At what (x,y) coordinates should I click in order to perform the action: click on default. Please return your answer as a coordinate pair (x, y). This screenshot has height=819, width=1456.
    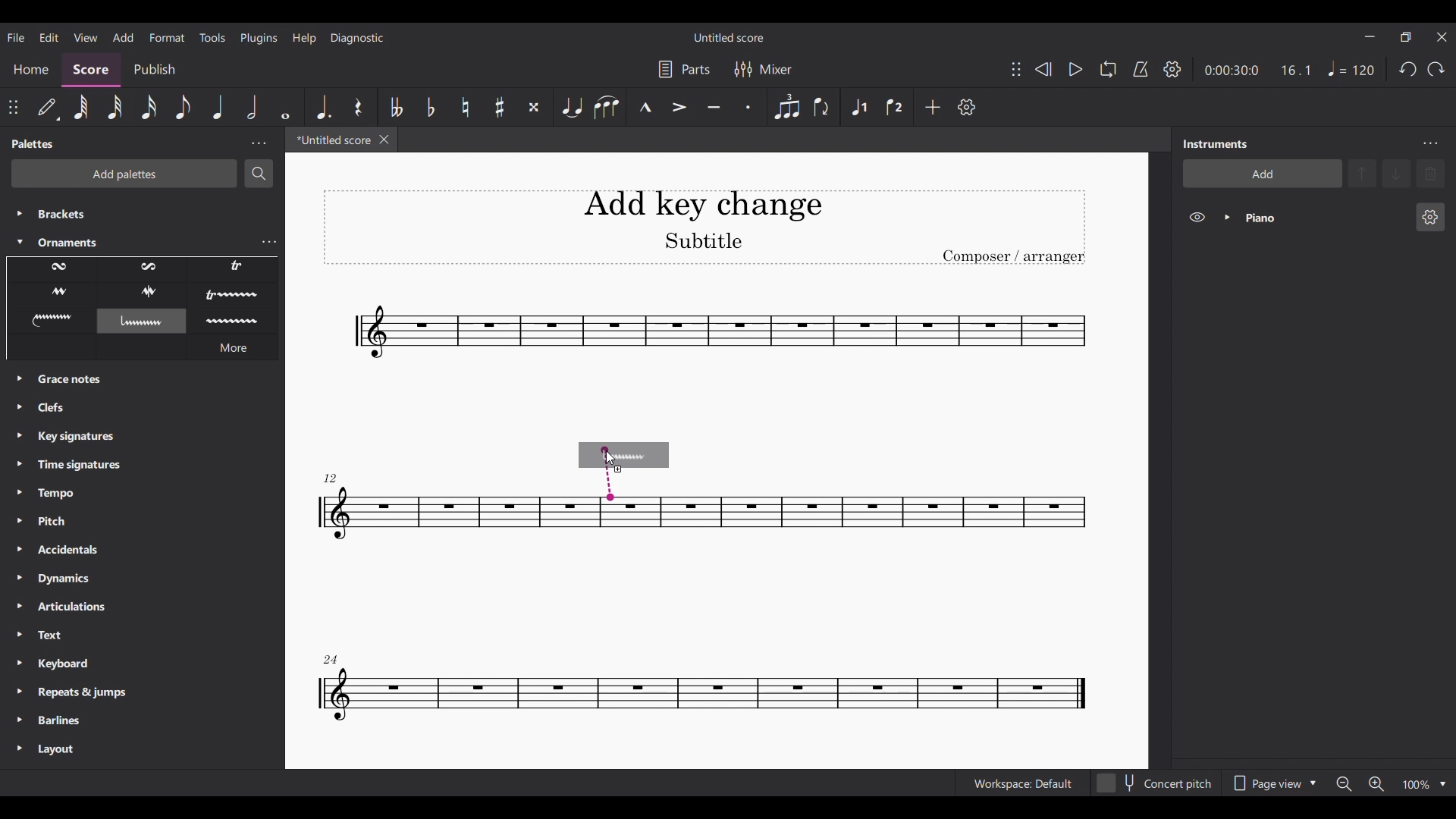
    Looking at the image, I should click on (47, 107).